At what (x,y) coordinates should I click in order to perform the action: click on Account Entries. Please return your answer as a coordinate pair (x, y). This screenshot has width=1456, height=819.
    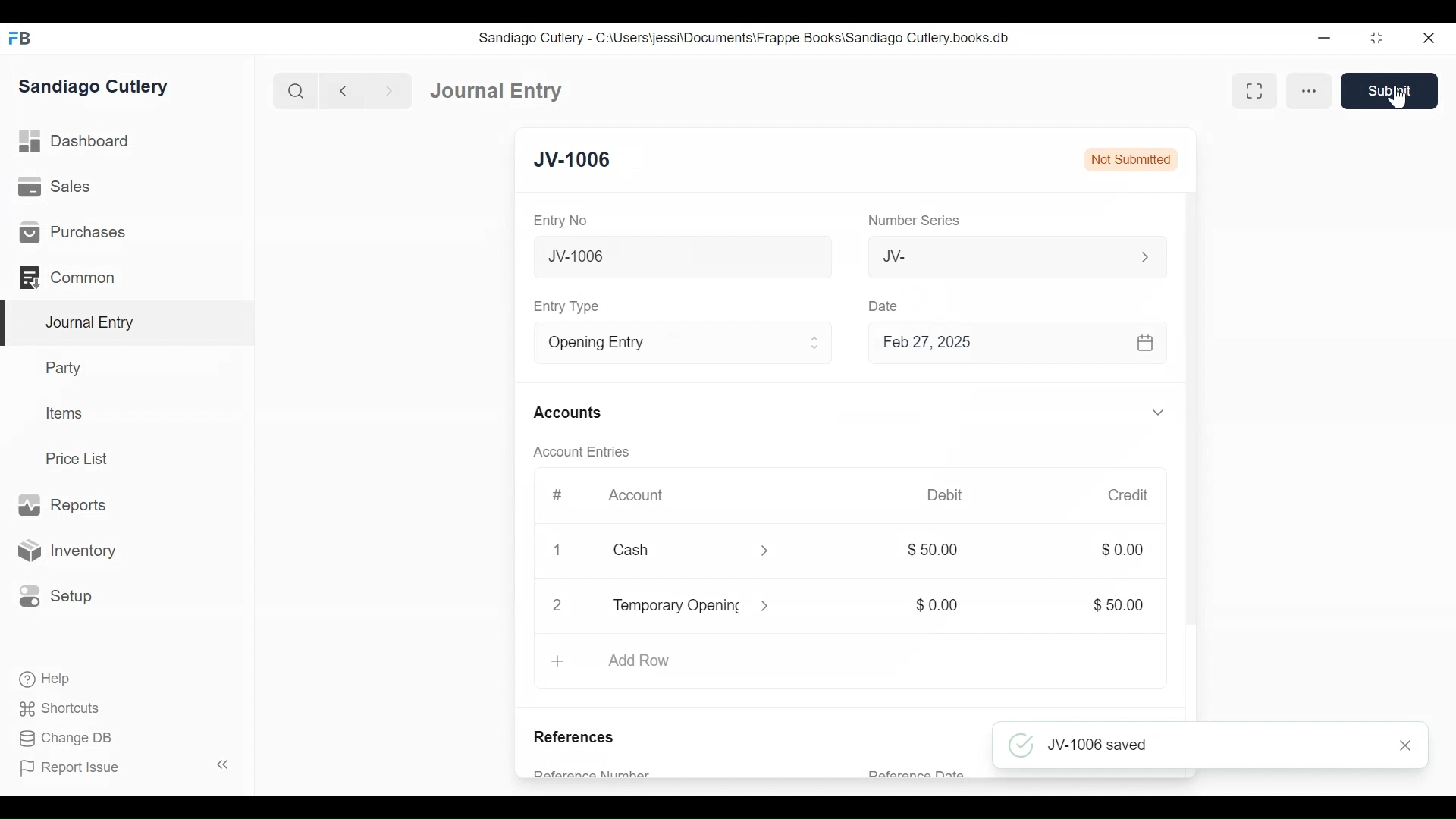
    Looking at the image, I should click on (580, 452).